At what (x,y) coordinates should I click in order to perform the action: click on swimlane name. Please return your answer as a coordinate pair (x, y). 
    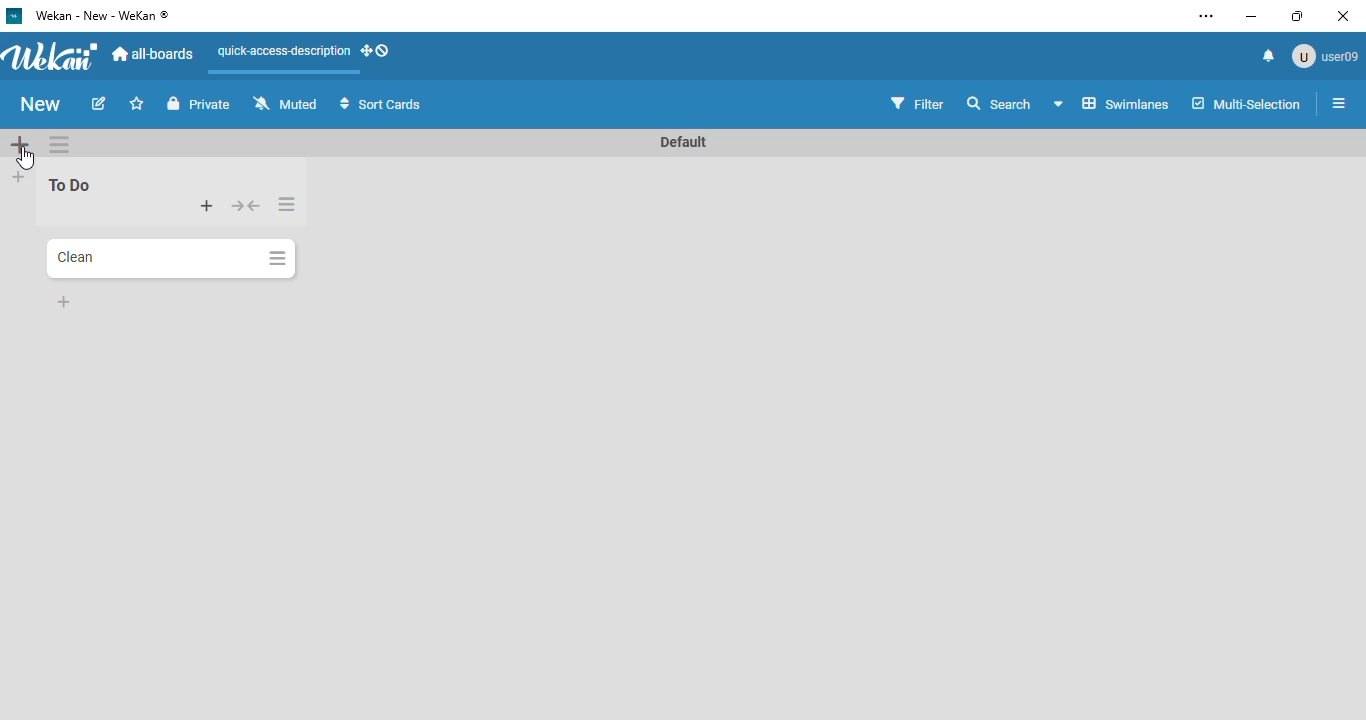
    Looking at the image, I should click on (685, 142).